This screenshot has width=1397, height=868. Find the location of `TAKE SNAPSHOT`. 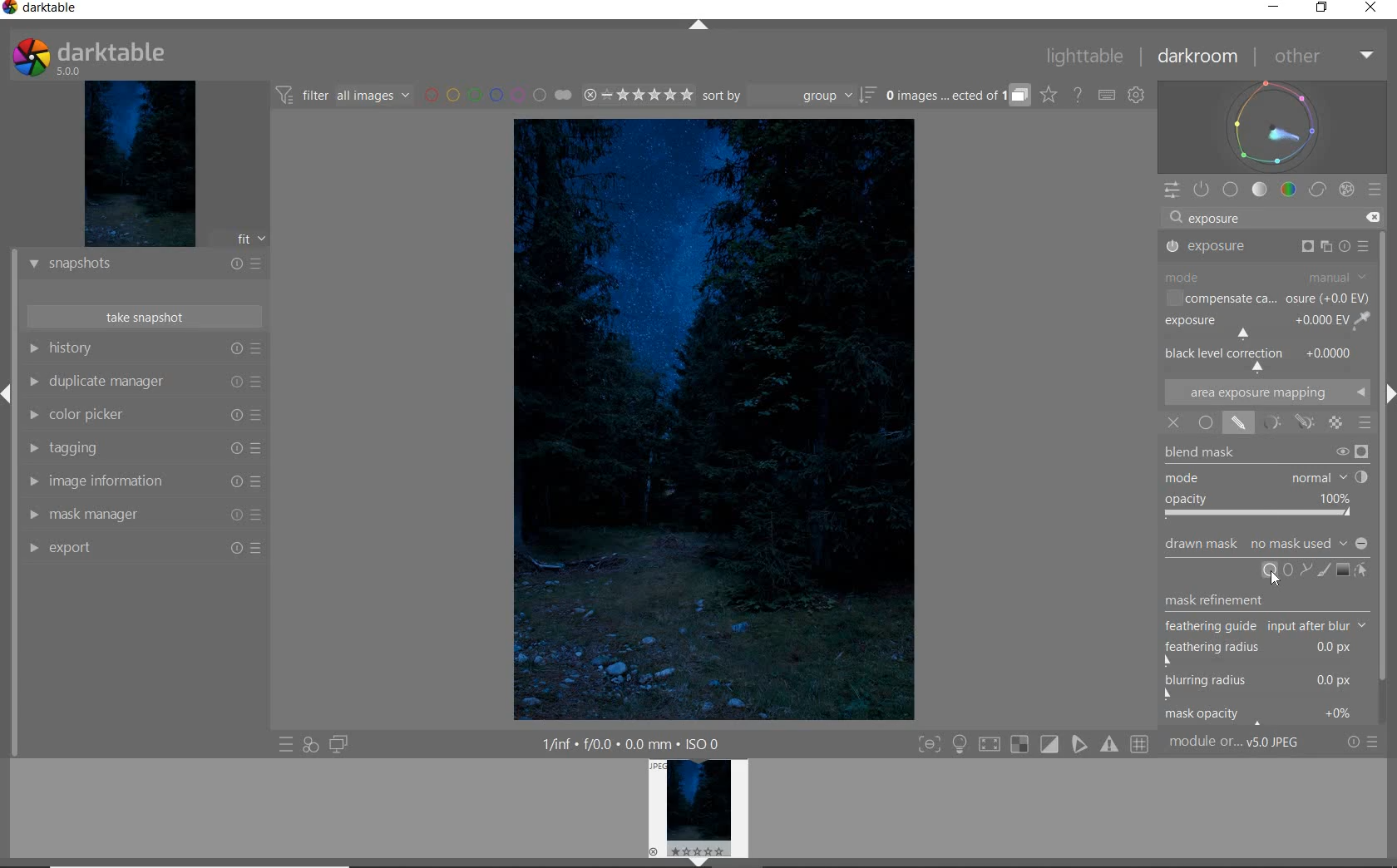

TAKE SNAPSHOT is located at coordinates (146, 318).